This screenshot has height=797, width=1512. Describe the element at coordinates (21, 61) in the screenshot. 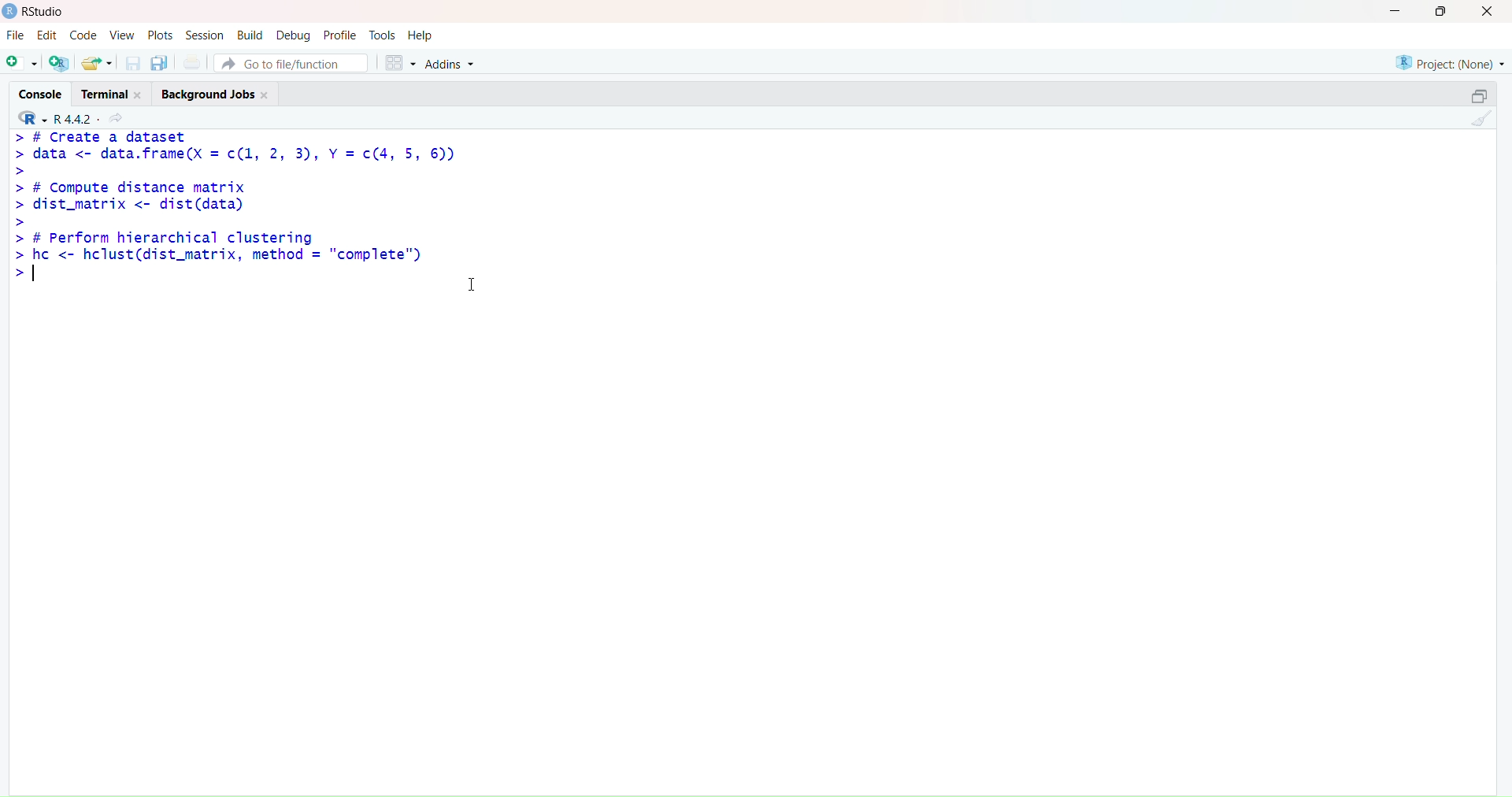

I see `New File` at that location.